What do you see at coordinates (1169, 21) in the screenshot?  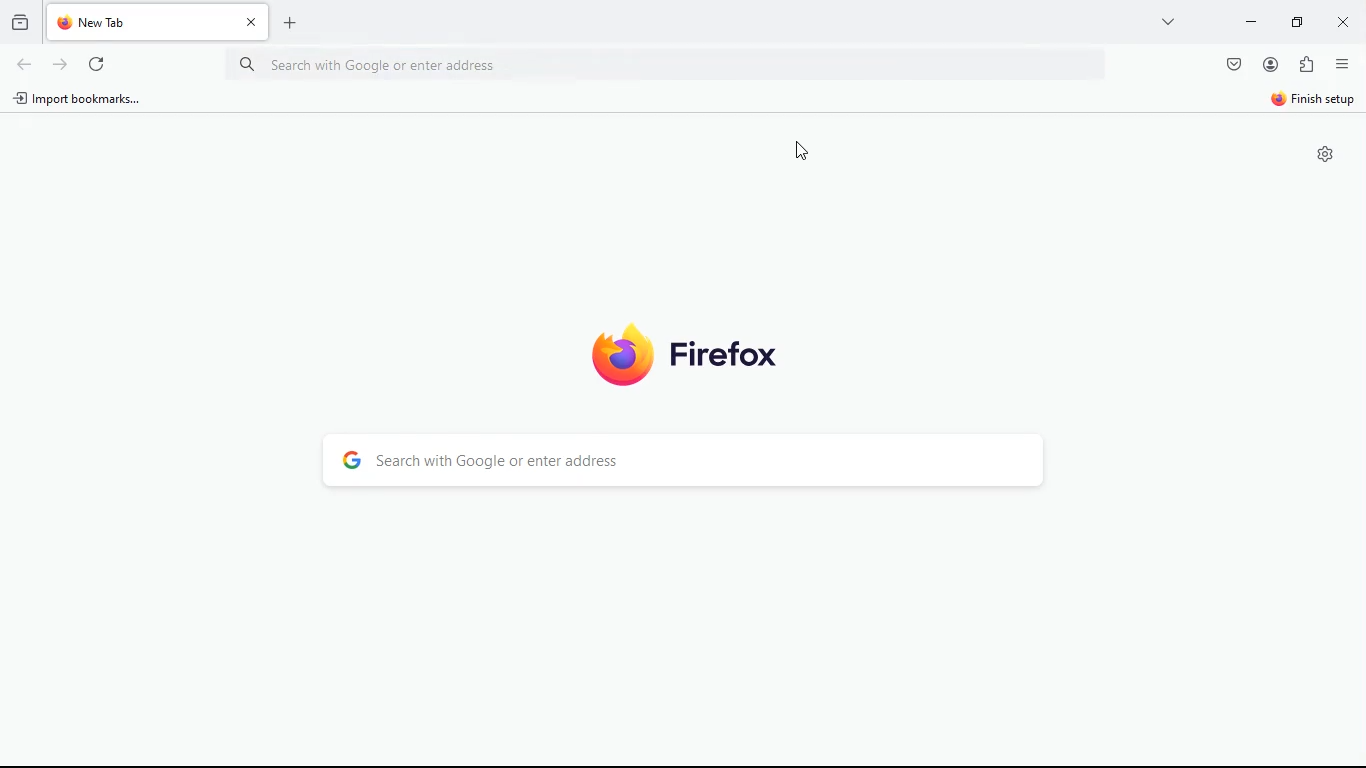 I see `more` at bounding box center [1169, 21].